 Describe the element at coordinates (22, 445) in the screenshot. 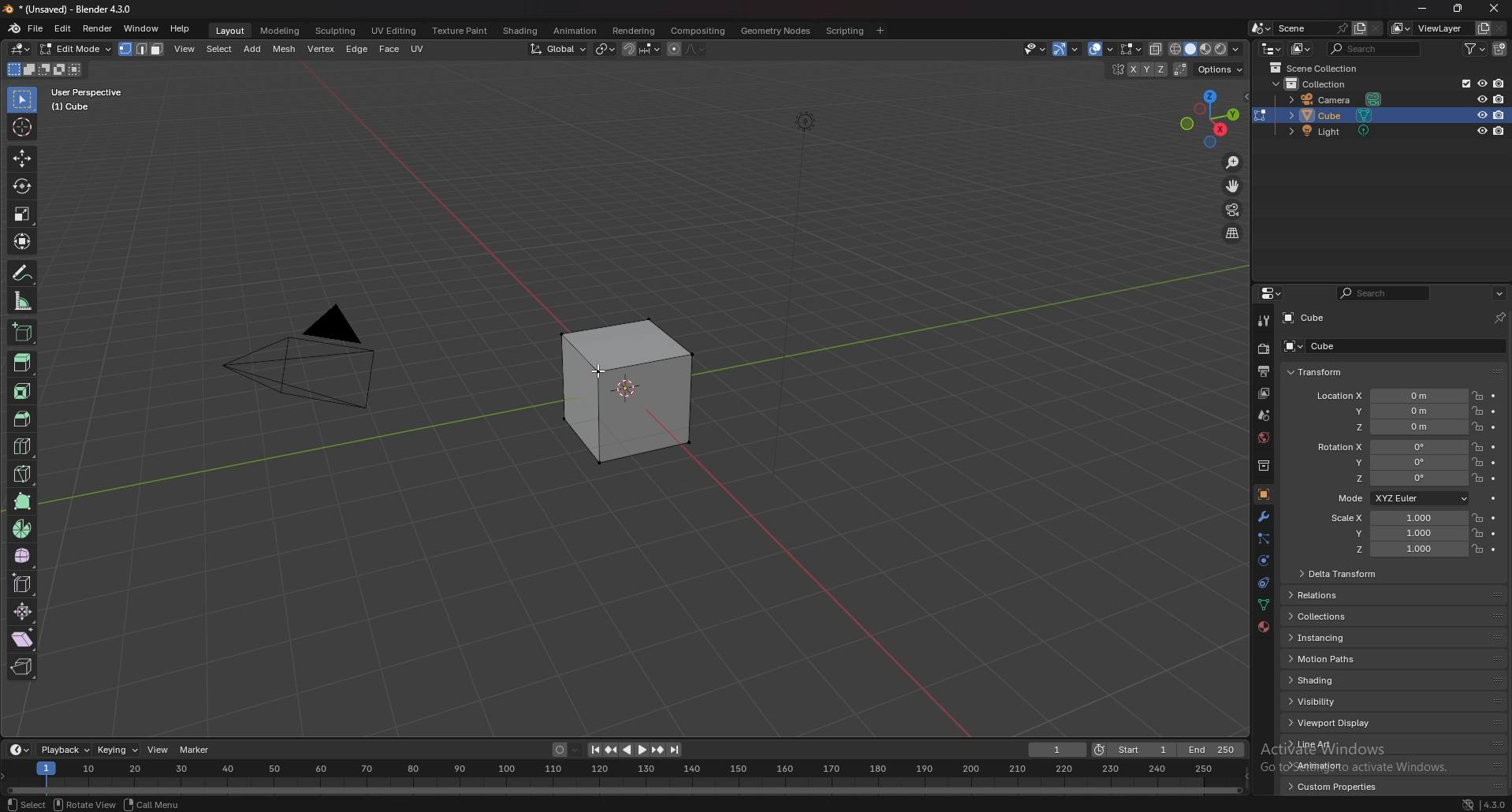

I see `cut` at that location.